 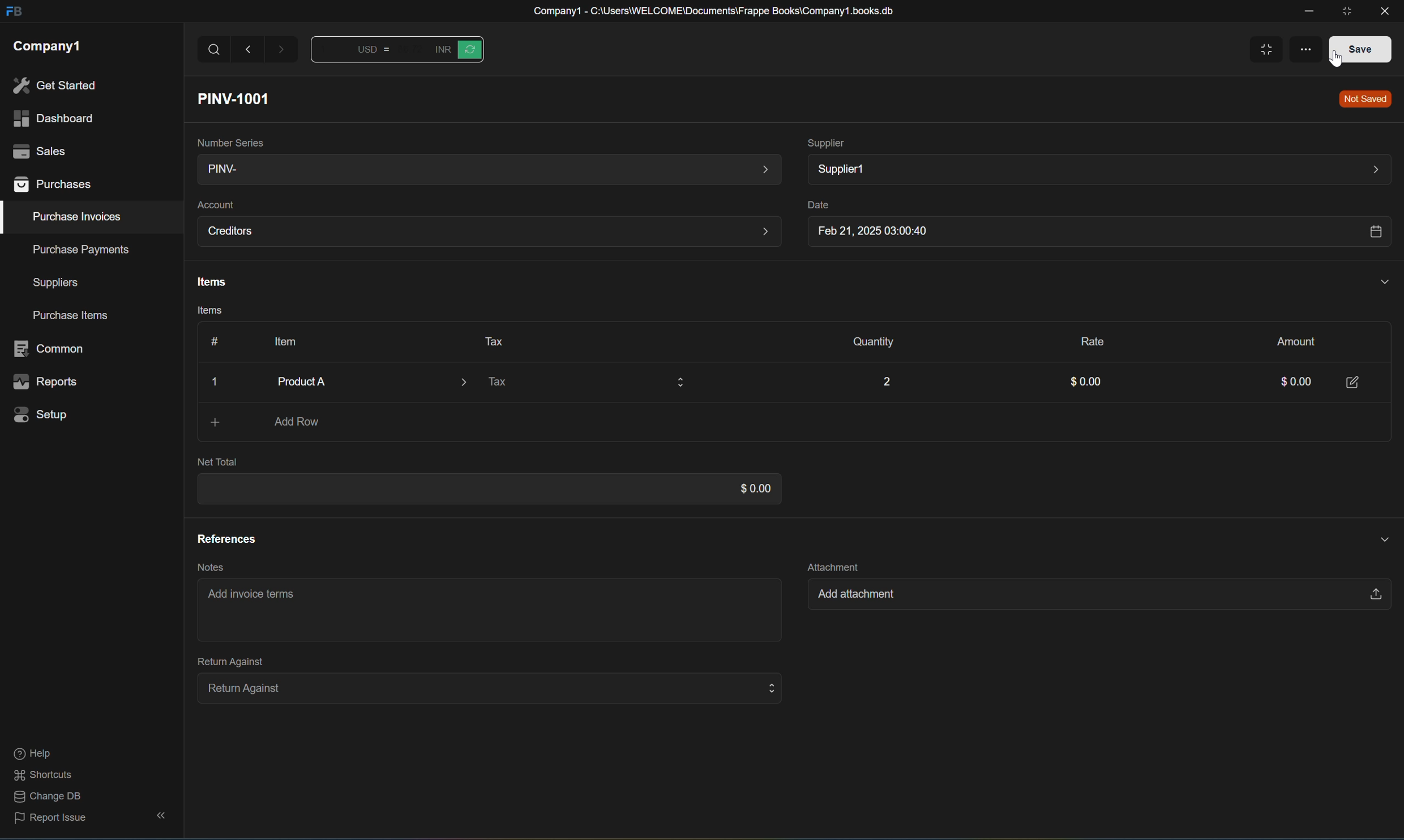 What do you see at coordinates (32, 755) in the screenshot?
I see `help` at bounding box center [32, 755].